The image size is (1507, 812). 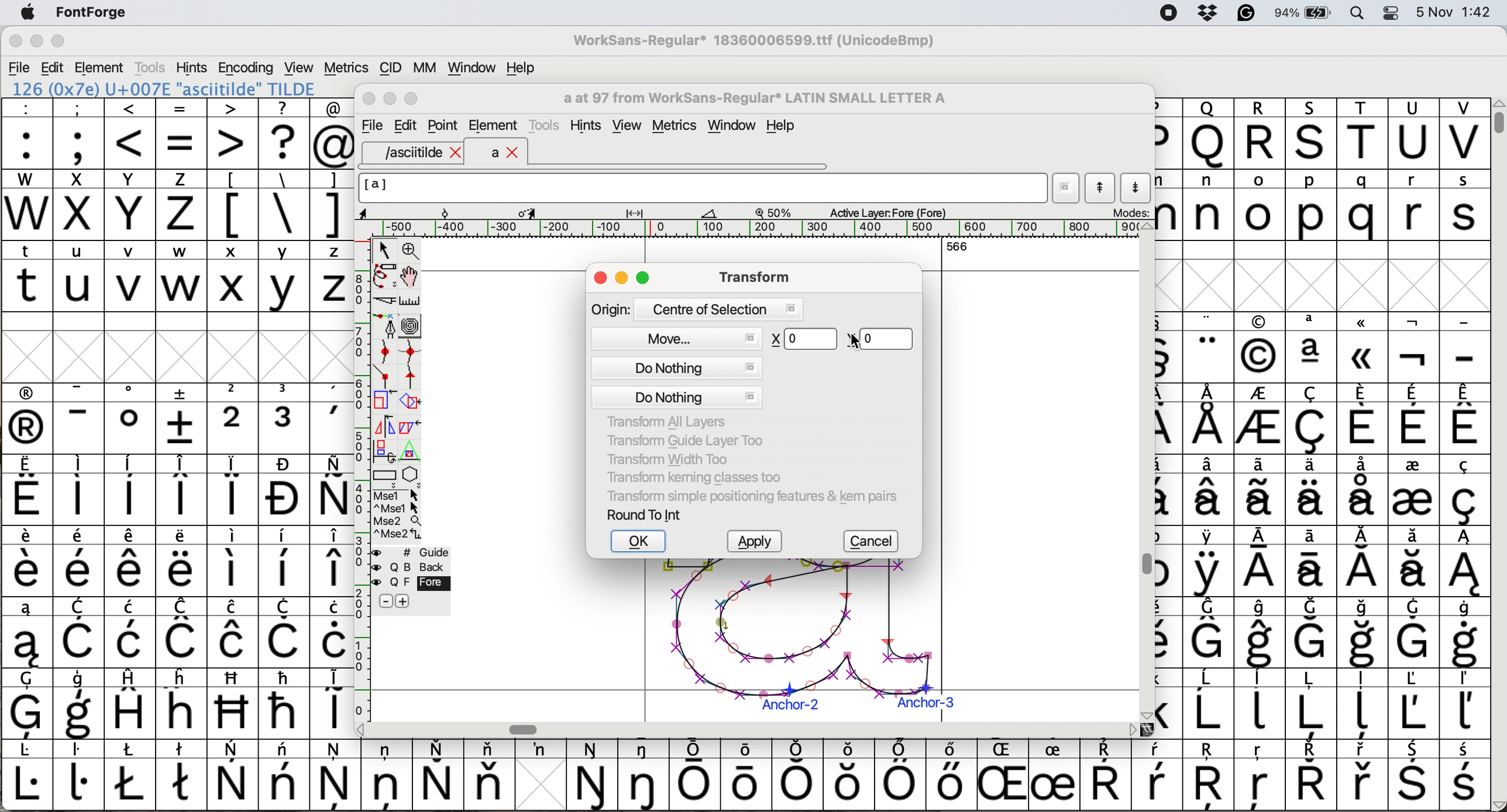 I want to click on n, so click(x=1208, y=204).